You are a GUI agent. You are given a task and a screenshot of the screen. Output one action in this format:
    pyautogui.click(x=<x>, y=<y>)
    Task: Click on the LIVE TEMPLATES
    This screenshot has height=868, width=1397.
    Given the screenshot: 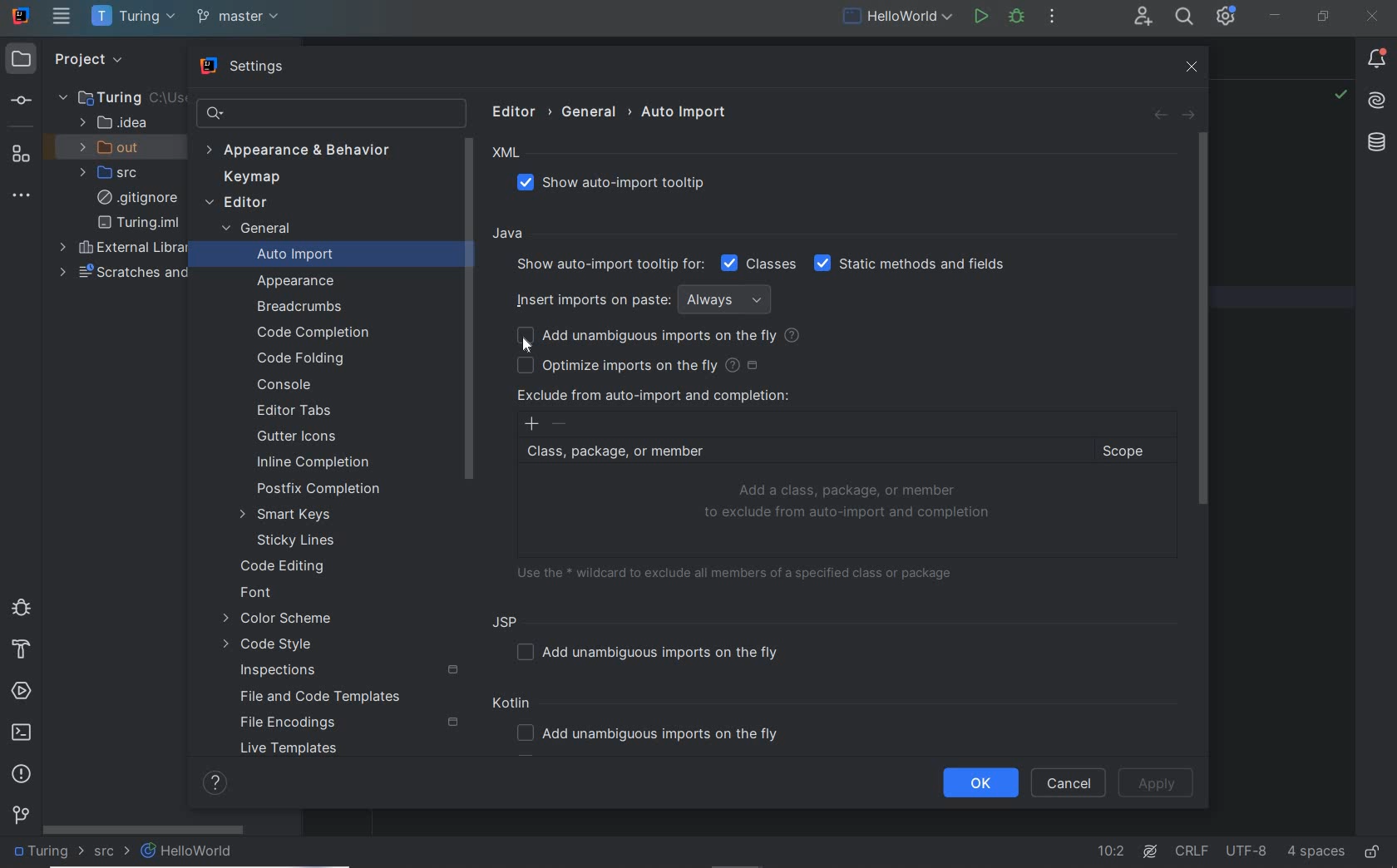 What is the action you would take?
    pyautogui.click(x=295, y=752)
    